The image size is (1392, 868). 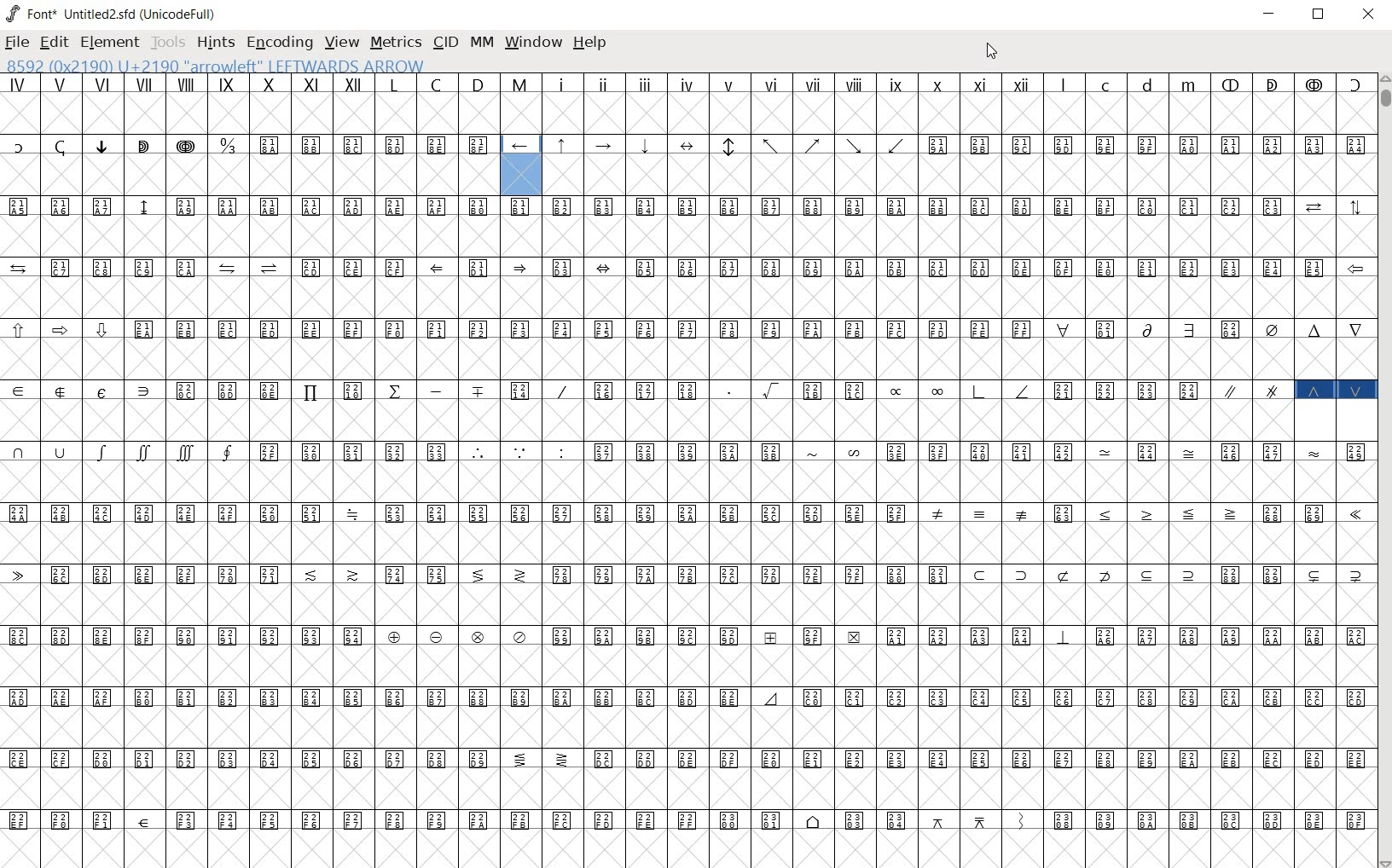 I want to click on view, so click(x=343, y=42).